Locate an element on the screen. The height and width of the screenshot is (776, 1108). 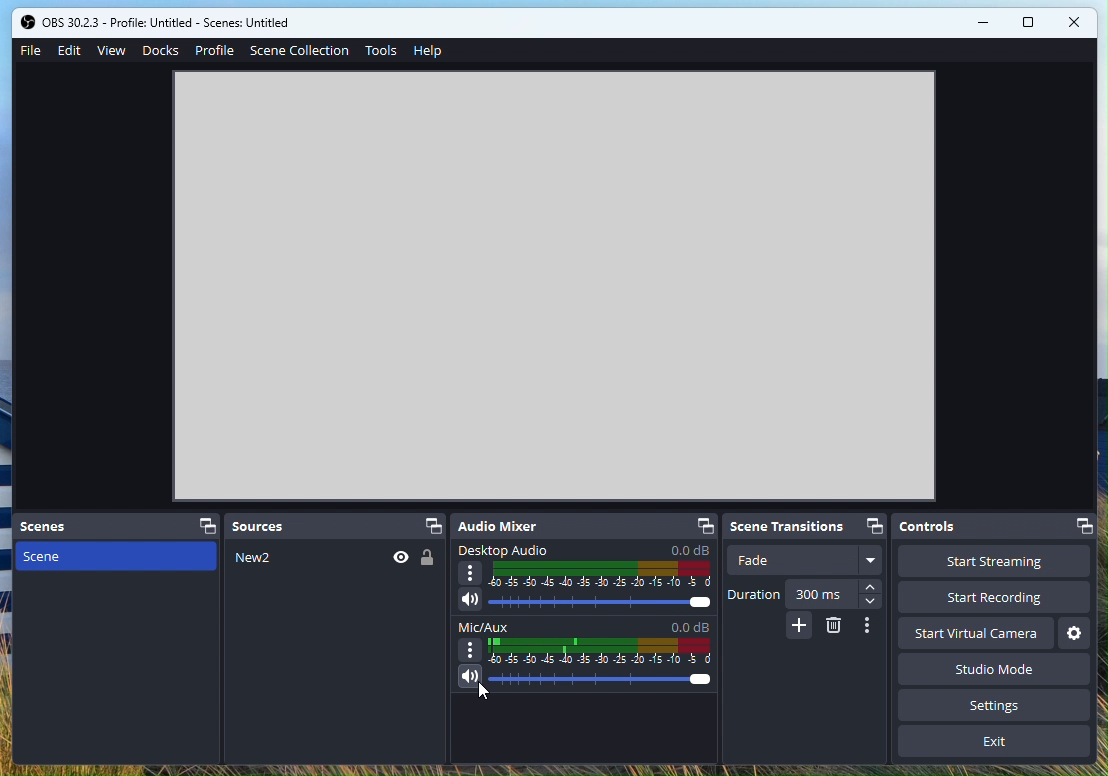
Box is located at coordinates (1030, 25).